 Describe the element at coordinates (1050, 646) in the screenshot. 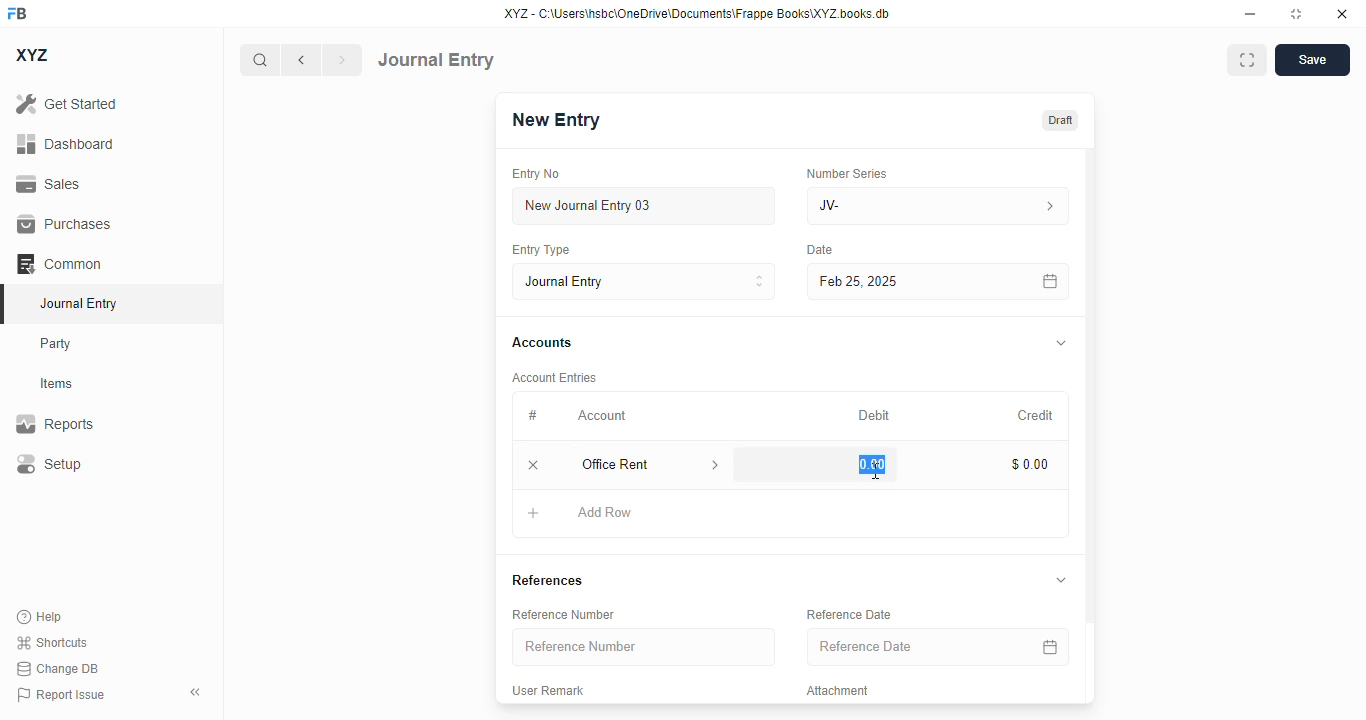

I see `calendar icon` at that location.